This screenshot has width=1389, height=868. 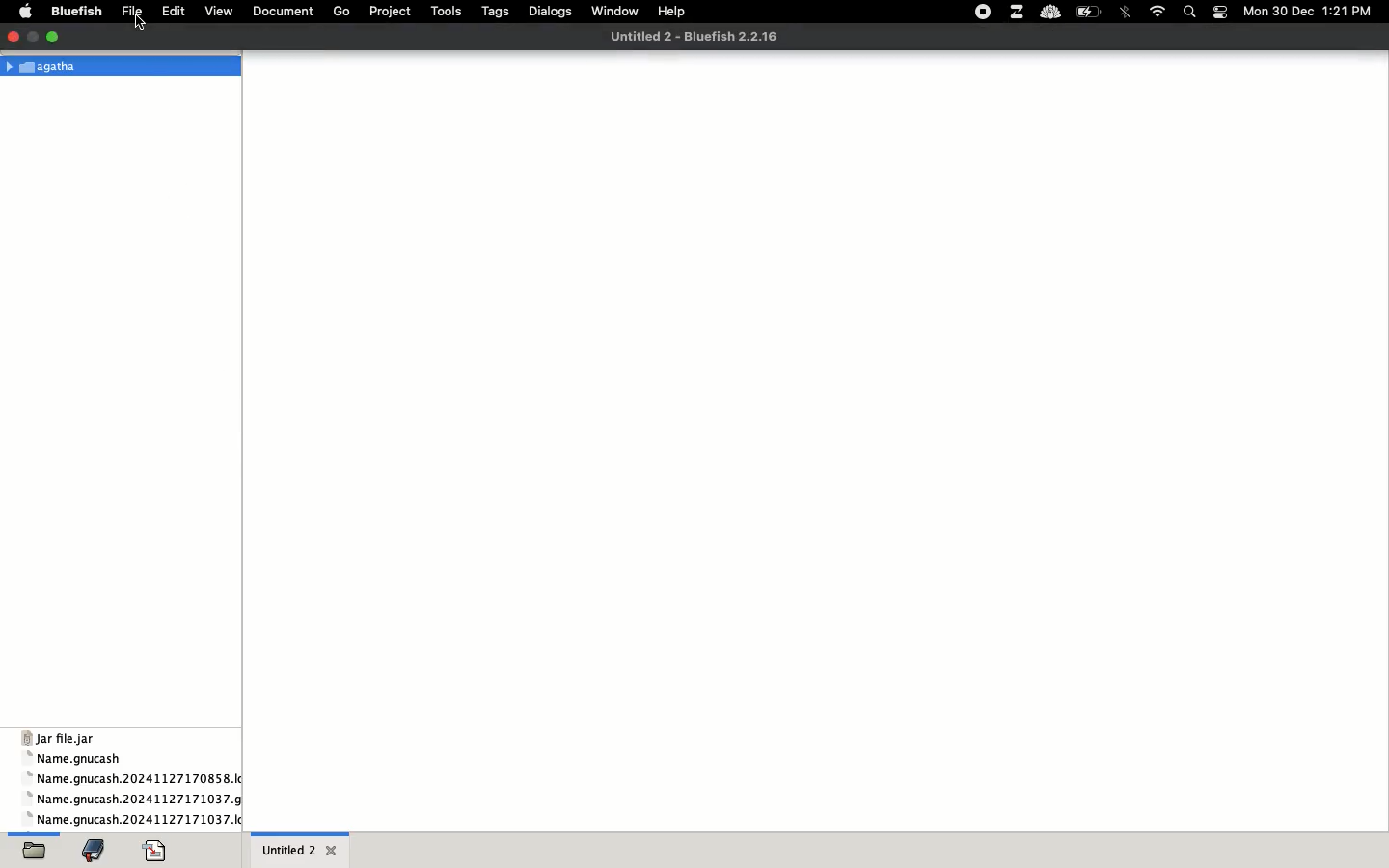 I want to click on close, so click(x=333, y=851).